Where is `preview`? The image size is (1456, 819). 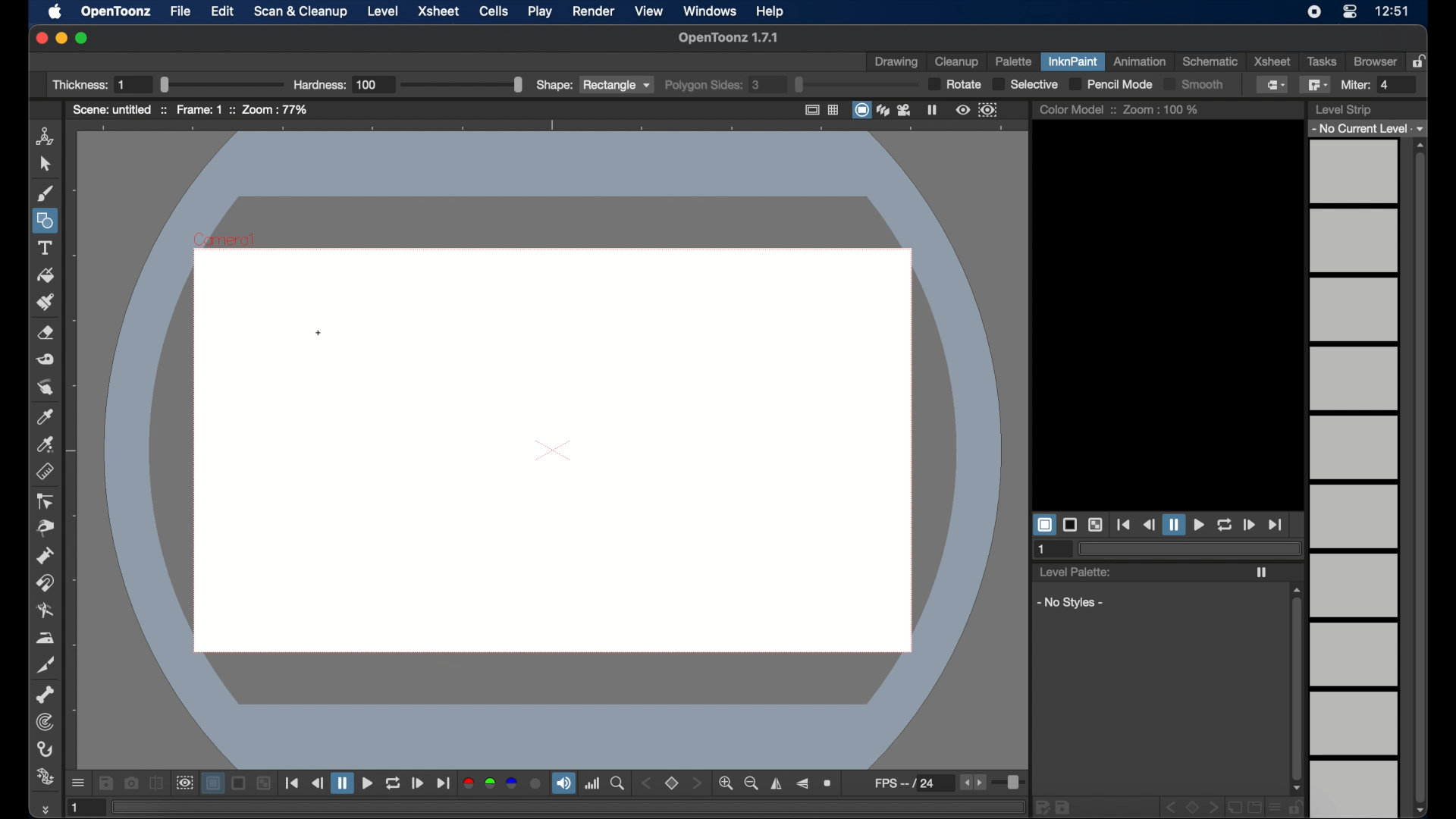
preview is located at coordinates (547, 444).